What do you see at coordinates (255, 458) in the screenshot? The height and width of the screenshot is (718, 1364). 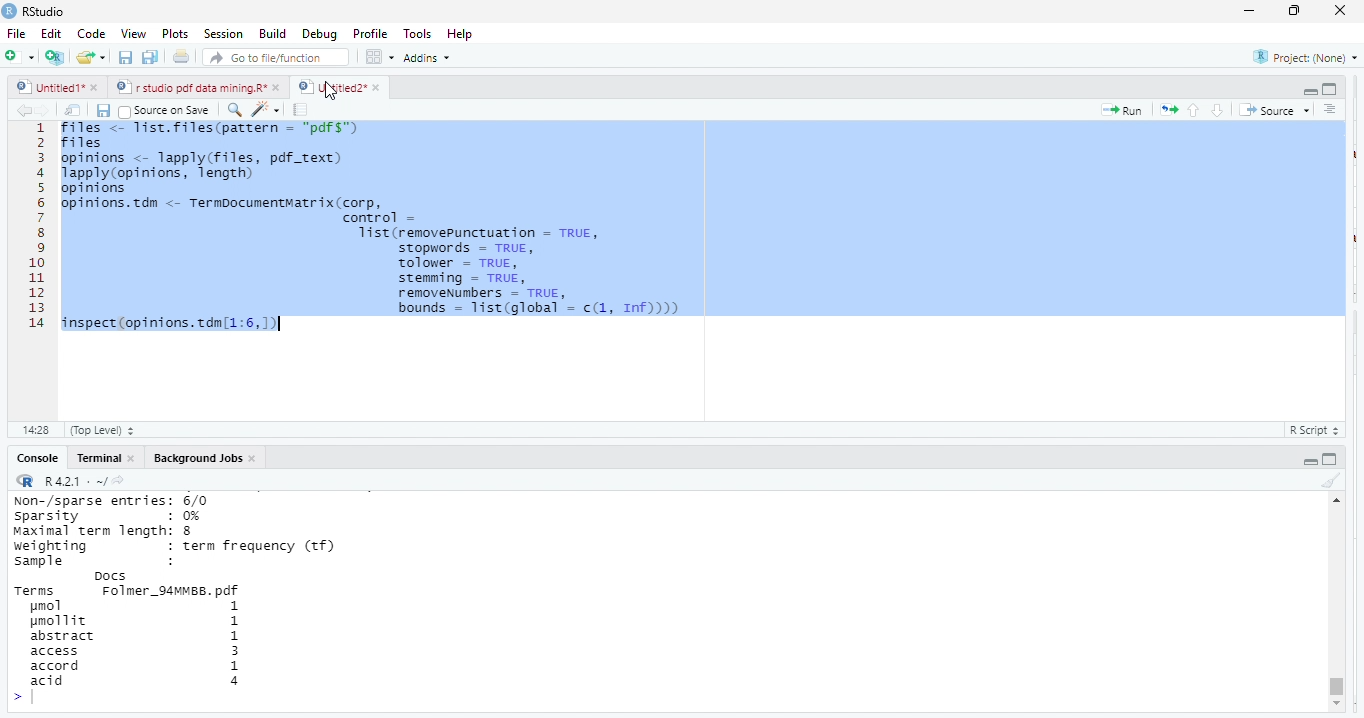 I see `close` at bounding box center [255, 458].